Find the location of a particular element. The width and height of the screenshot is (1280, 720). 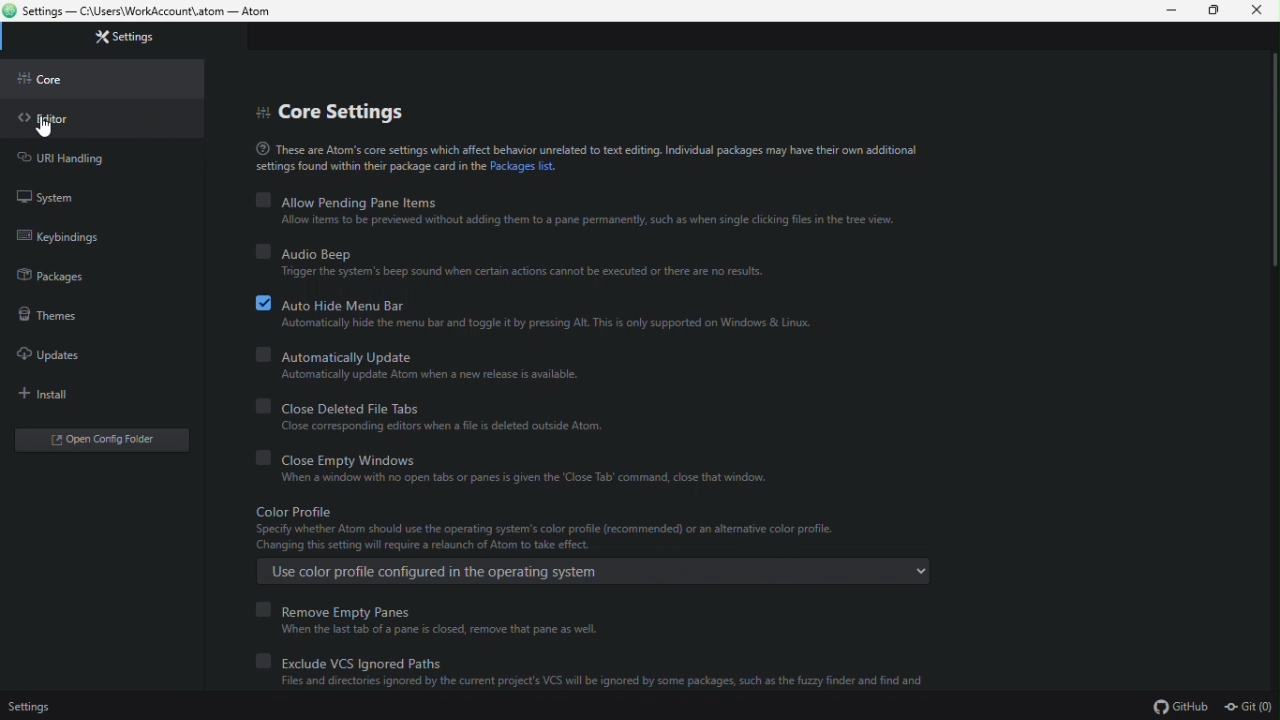

settings is located at coordinates (127, 40).